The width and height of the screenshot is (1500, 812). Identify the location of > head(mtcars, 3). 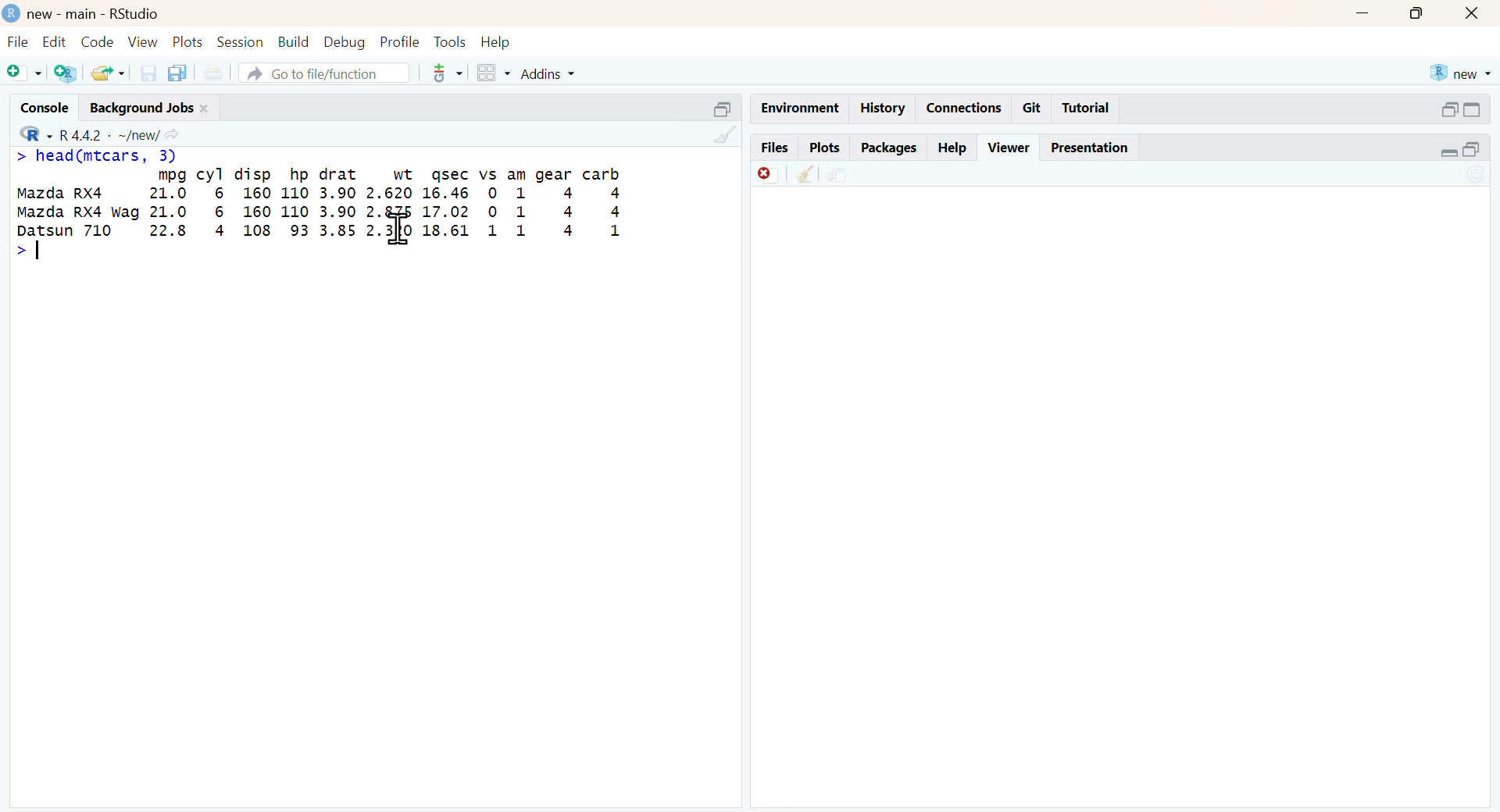
(102, 154).